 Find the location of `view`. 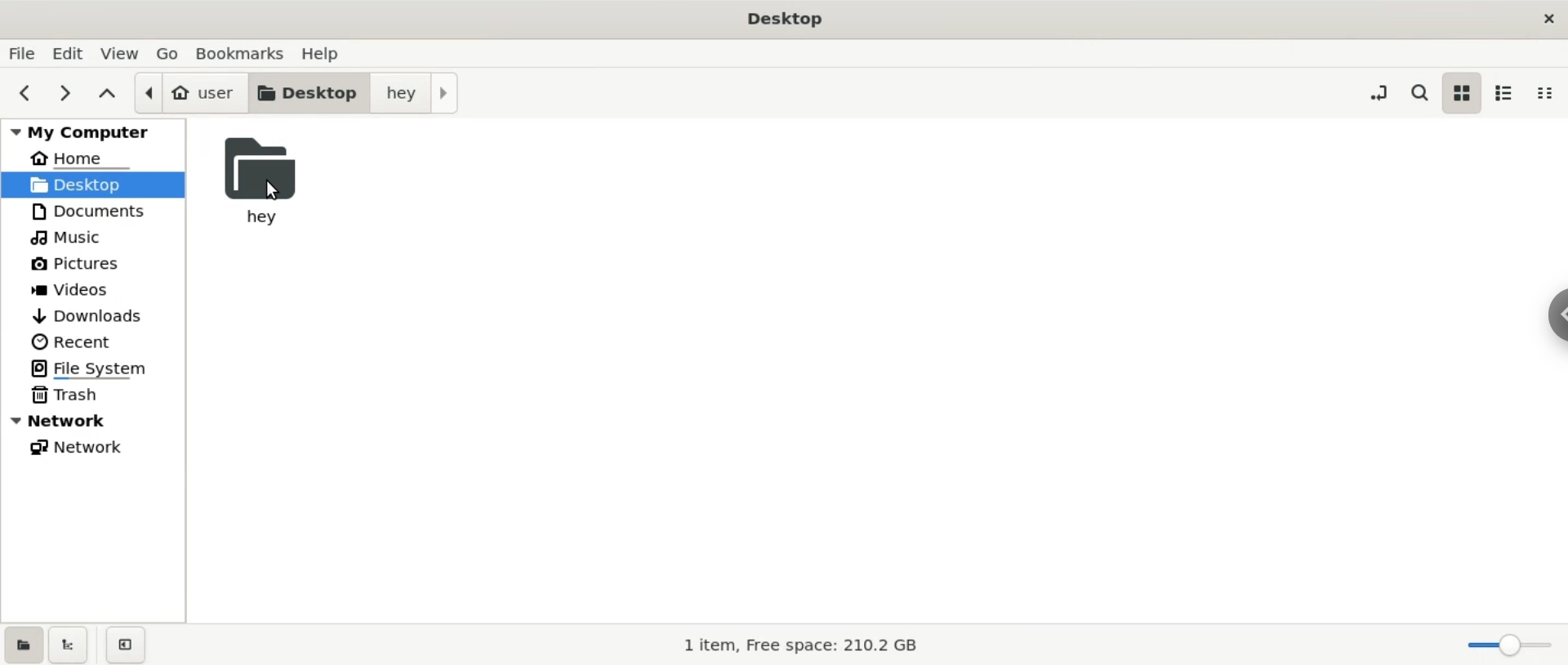

view is located at coordinates (118, 54).